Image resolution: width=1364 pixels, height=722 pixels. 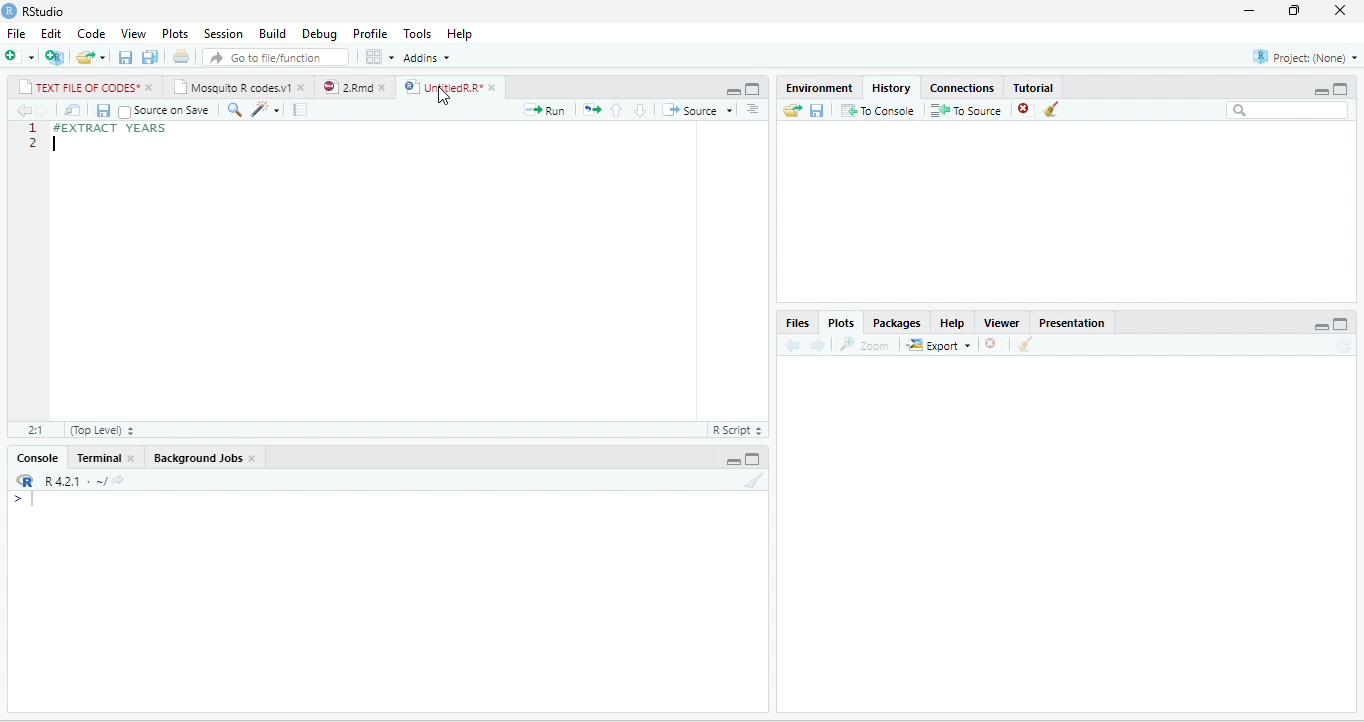 What do you see at coordinates (1341, 324) in the screenshot?
I see `maximize` at bounding box center [1341, 324].